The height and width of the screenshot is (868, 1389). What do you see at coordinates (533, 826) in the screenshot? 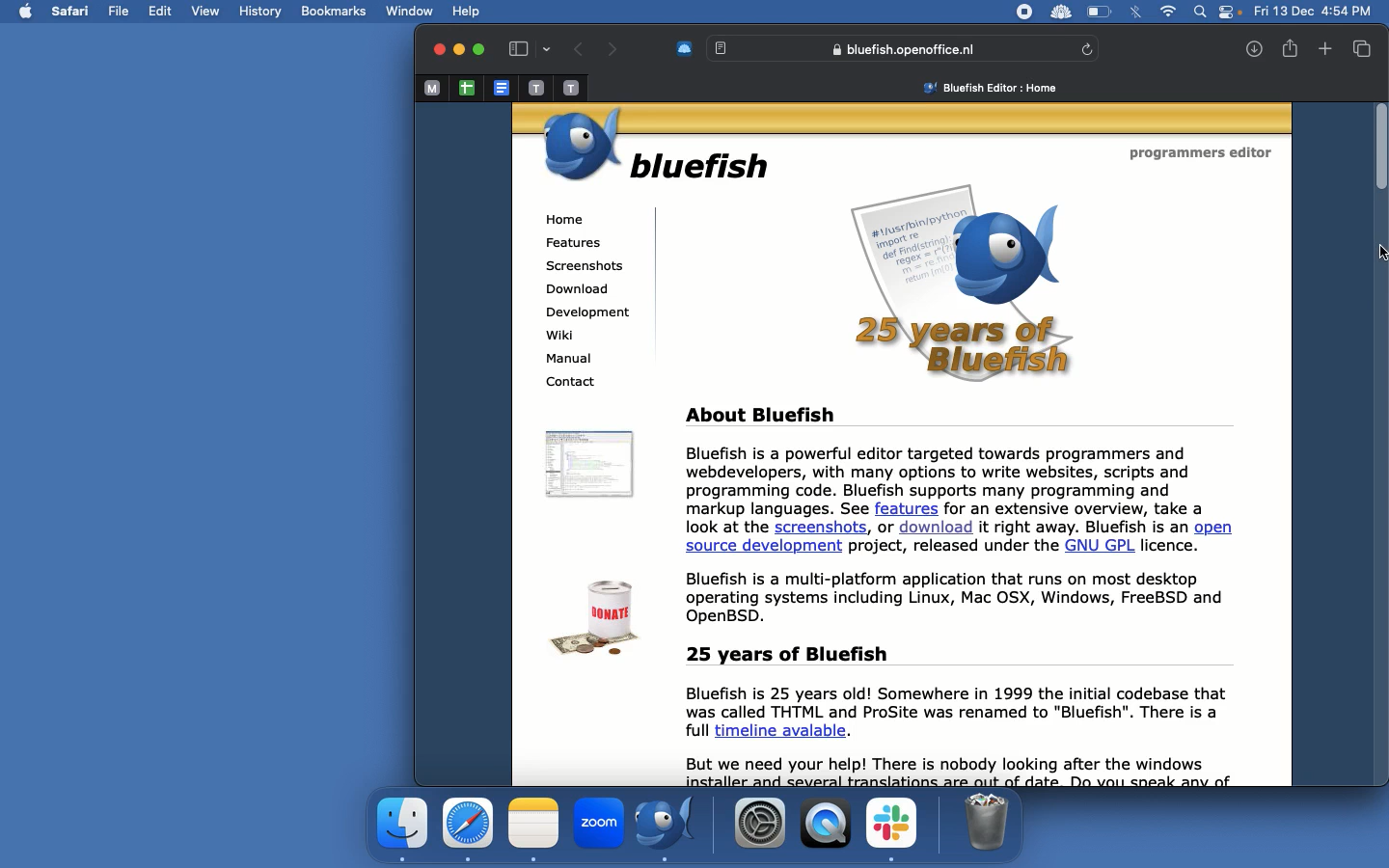
I see `Notes` at bounding box center [533, 826].